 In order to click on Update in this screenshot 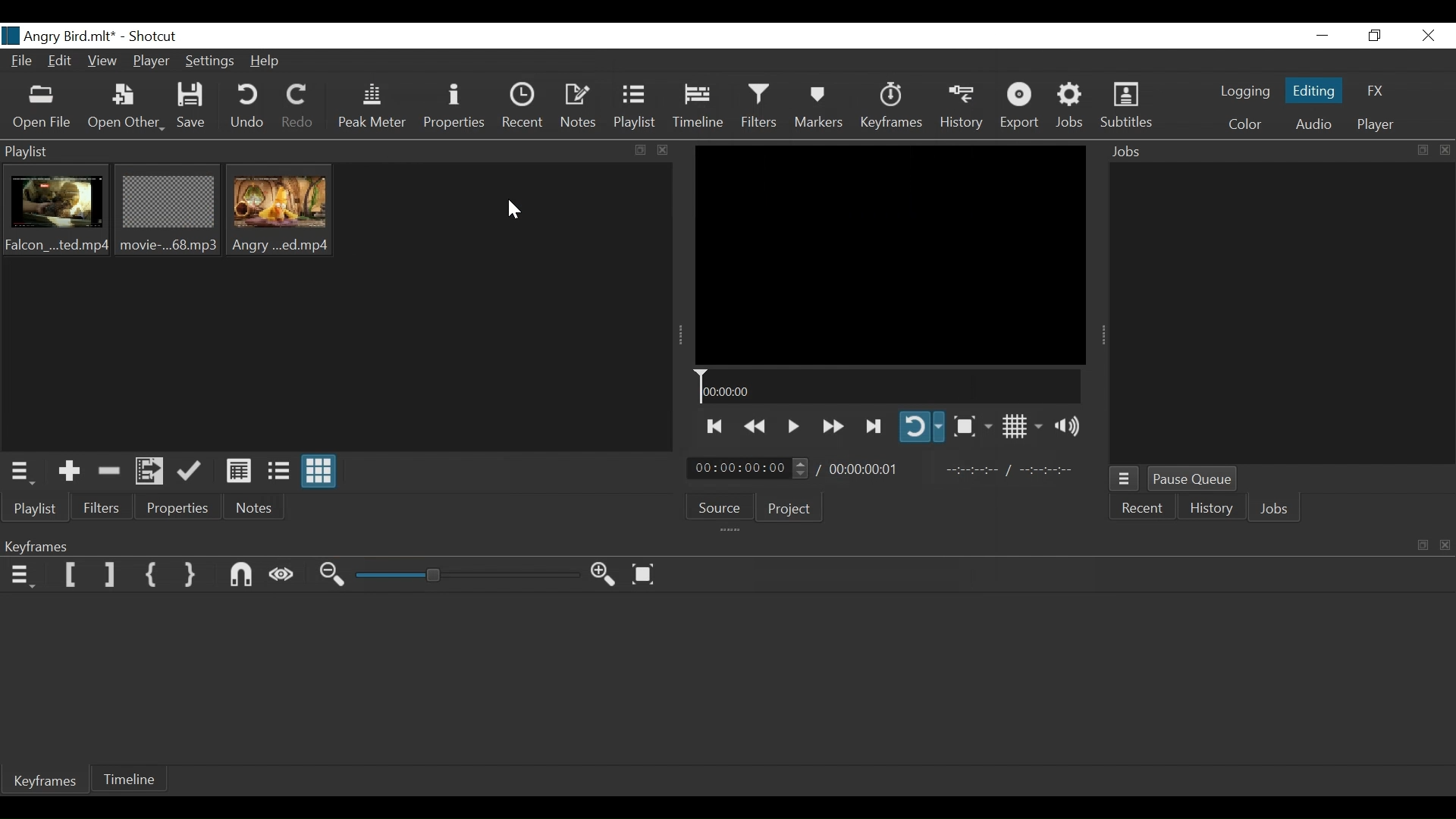, I will do `click(192, 475)`.